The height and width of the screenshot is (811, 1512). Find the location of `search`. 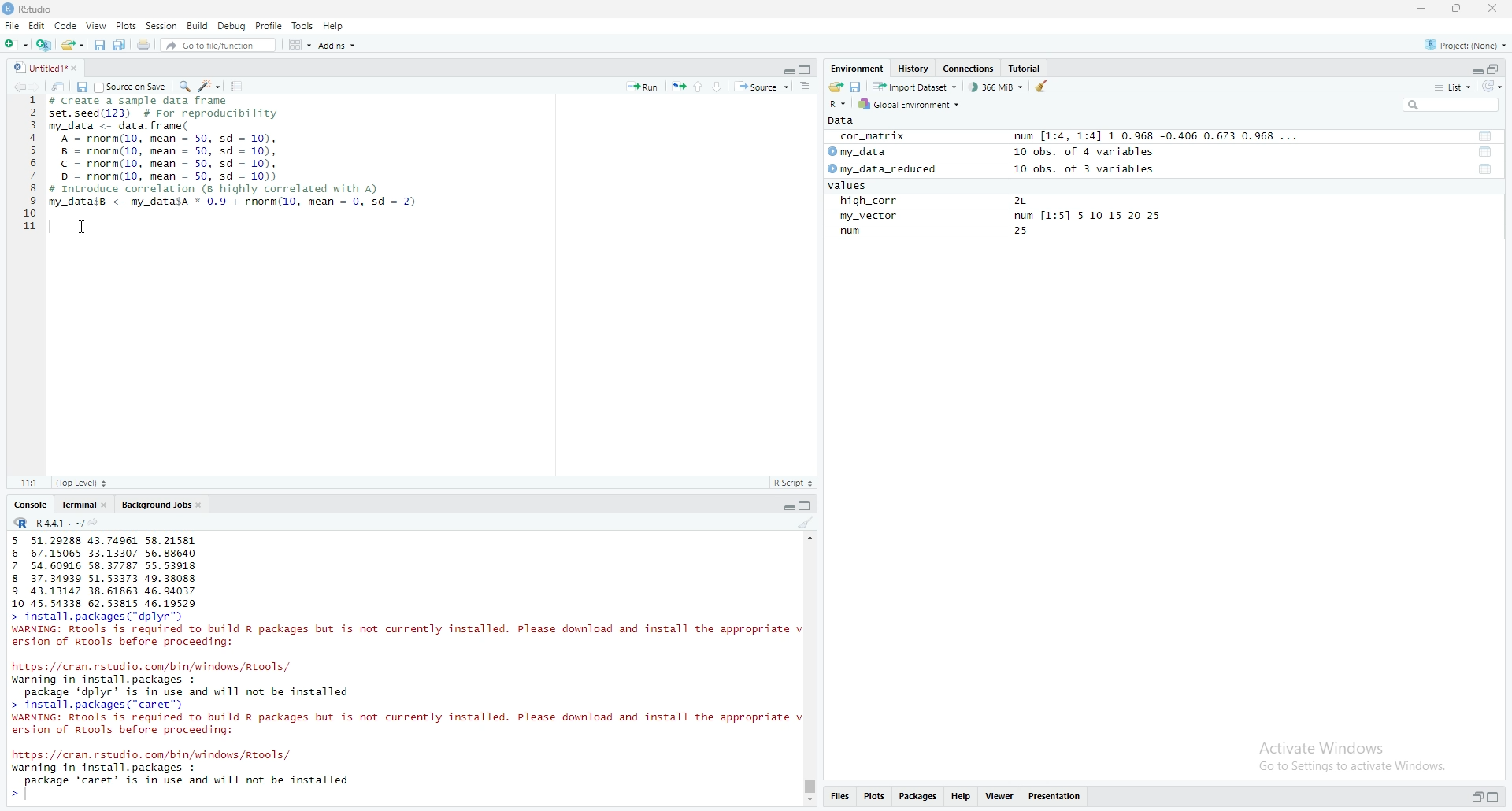

search is located at coordinates (1450, 106).